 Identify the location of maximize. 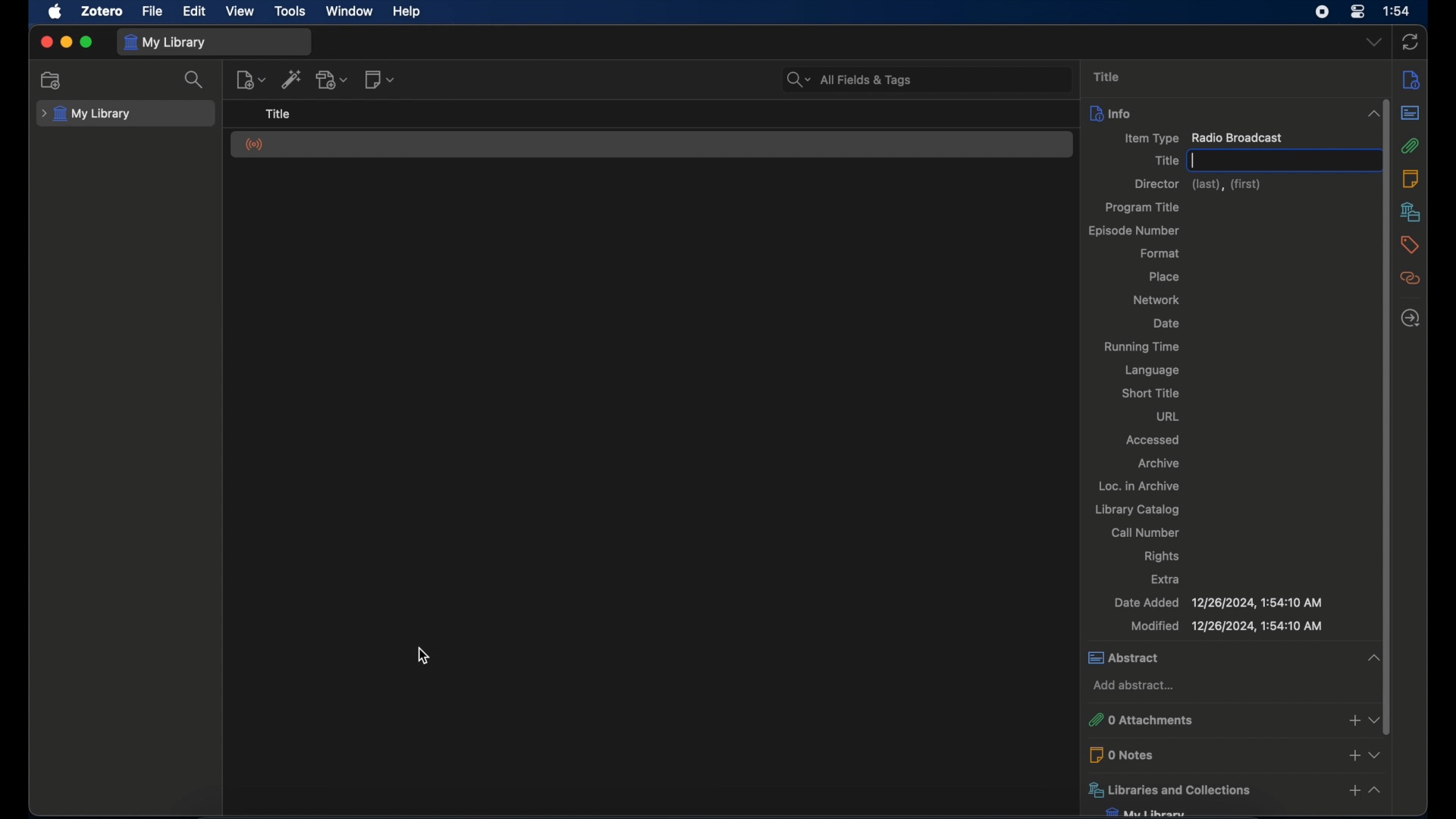
(86, 42).